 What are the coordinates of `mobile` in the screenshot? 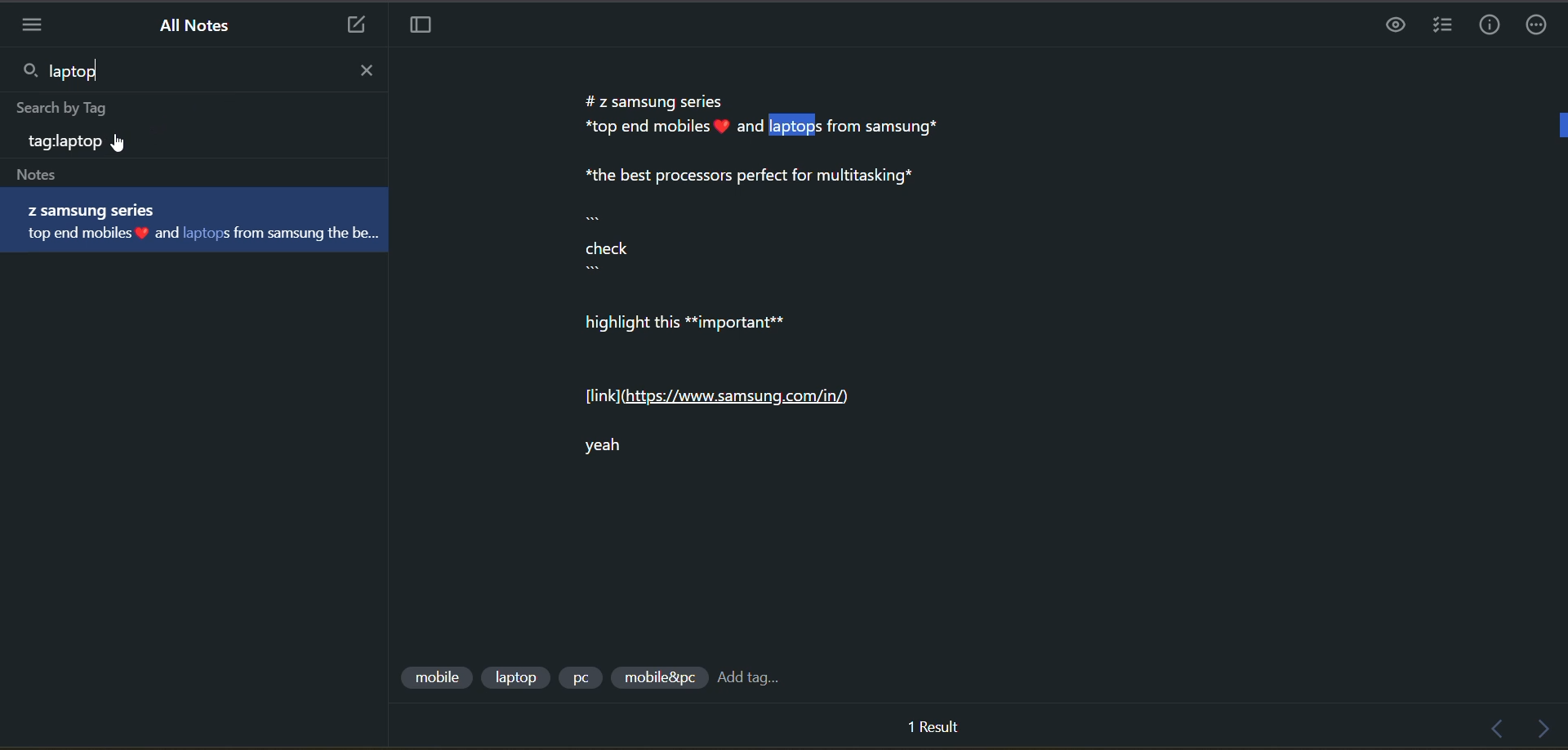 It's located at (434, 676).